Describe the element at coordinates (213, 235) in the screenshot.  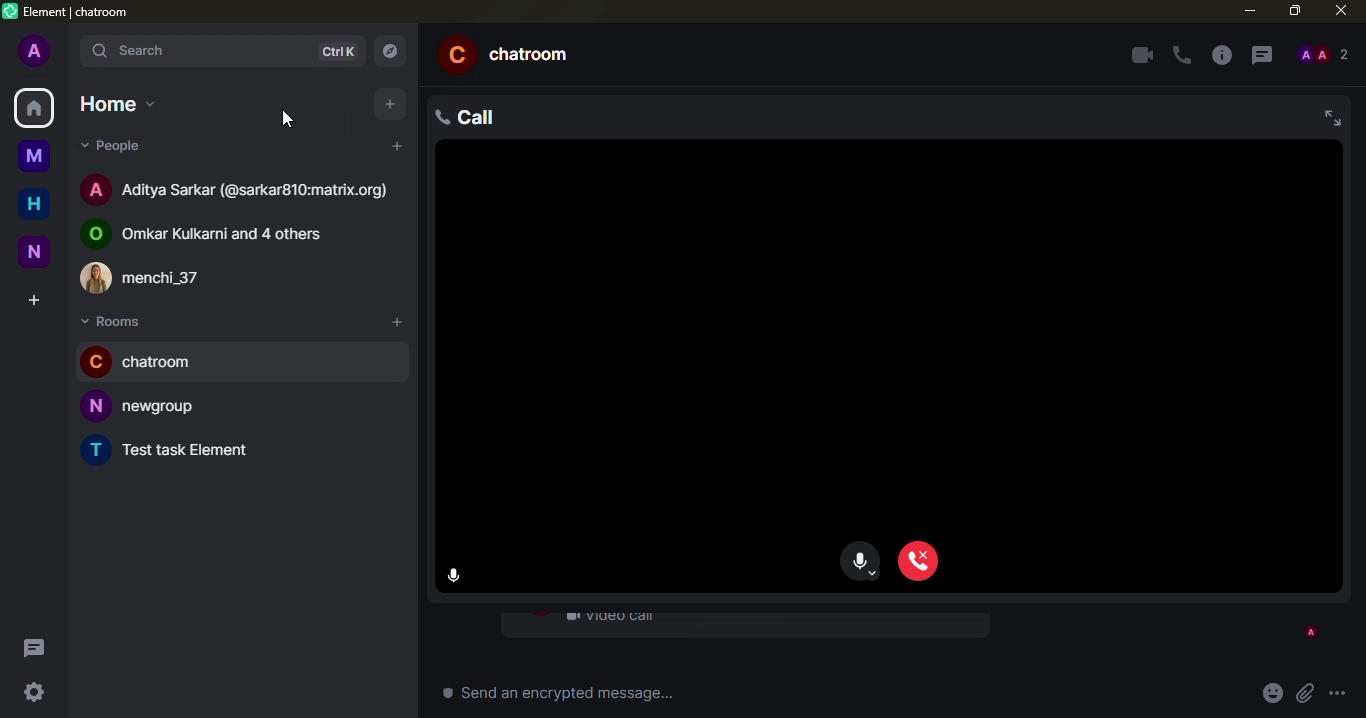
I see `© Omkar Kulkarni and 4 others` at that location.